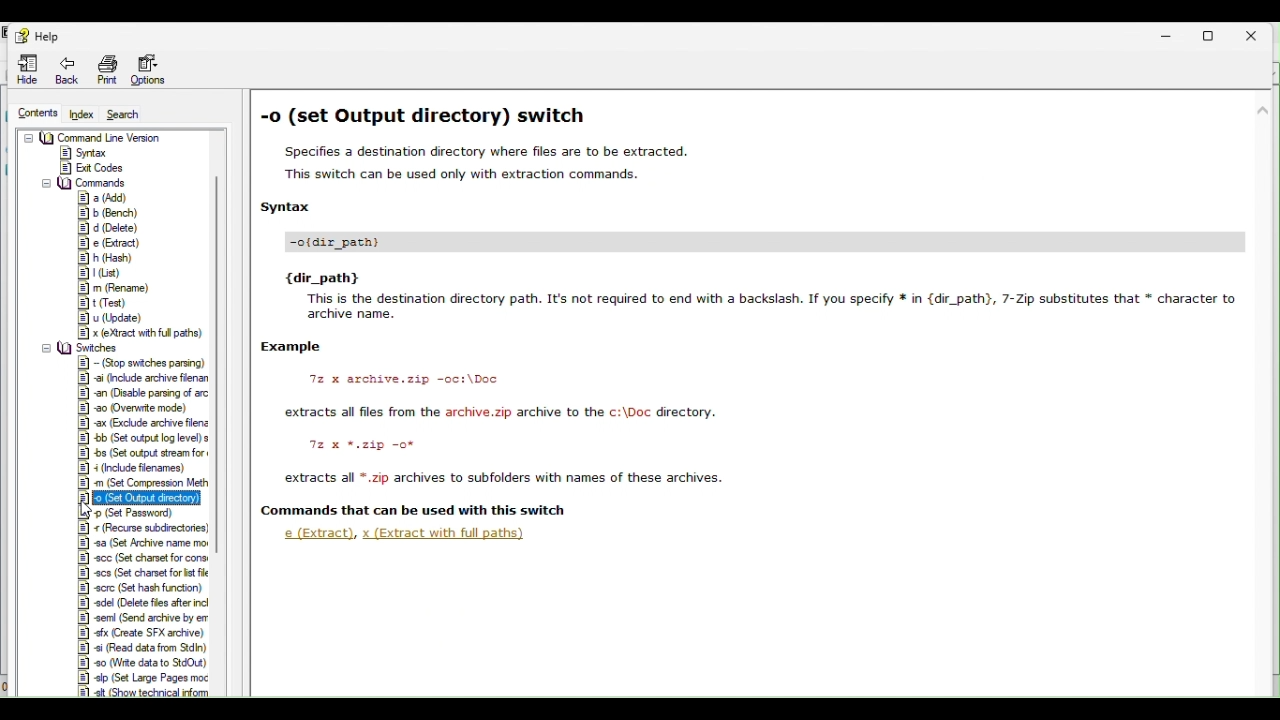 The height and width of the screenshot is (720, 1280). What do you see at coordinates (98, 275) in the screenshot?
I see `List` at bounding box center [98, 275].